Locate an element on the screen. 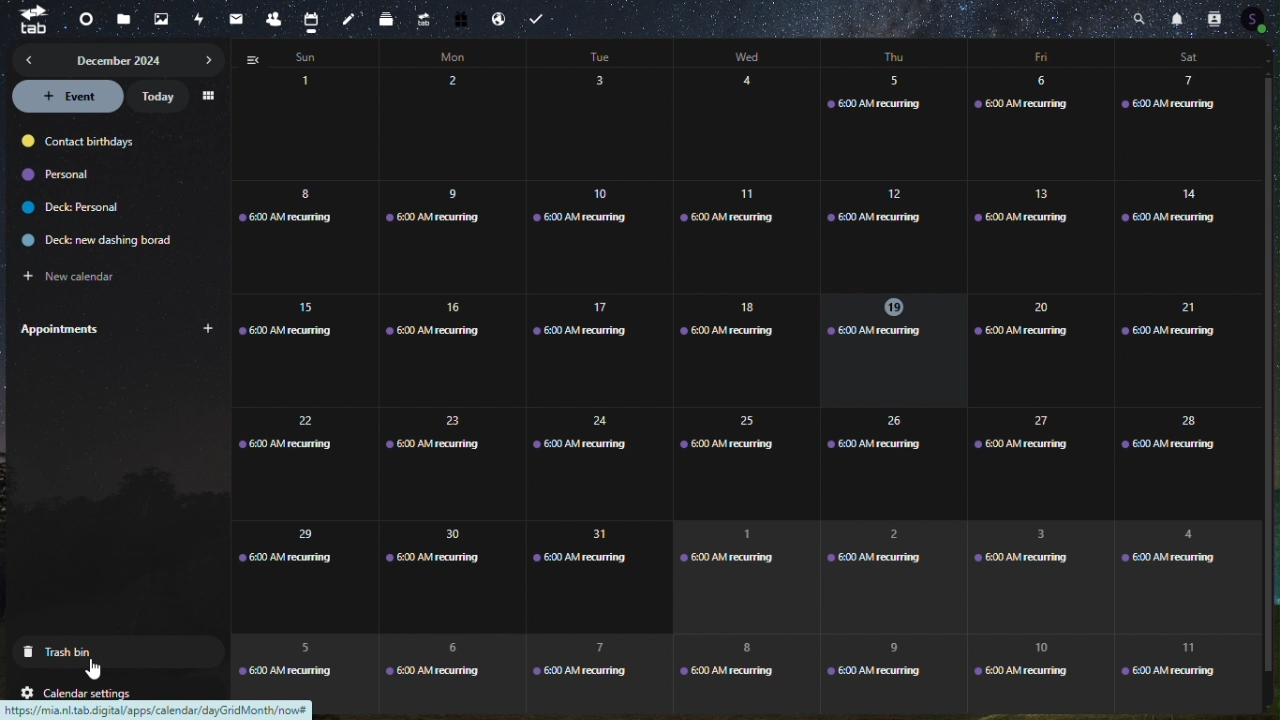  tab is located at coordinates (33, 24).